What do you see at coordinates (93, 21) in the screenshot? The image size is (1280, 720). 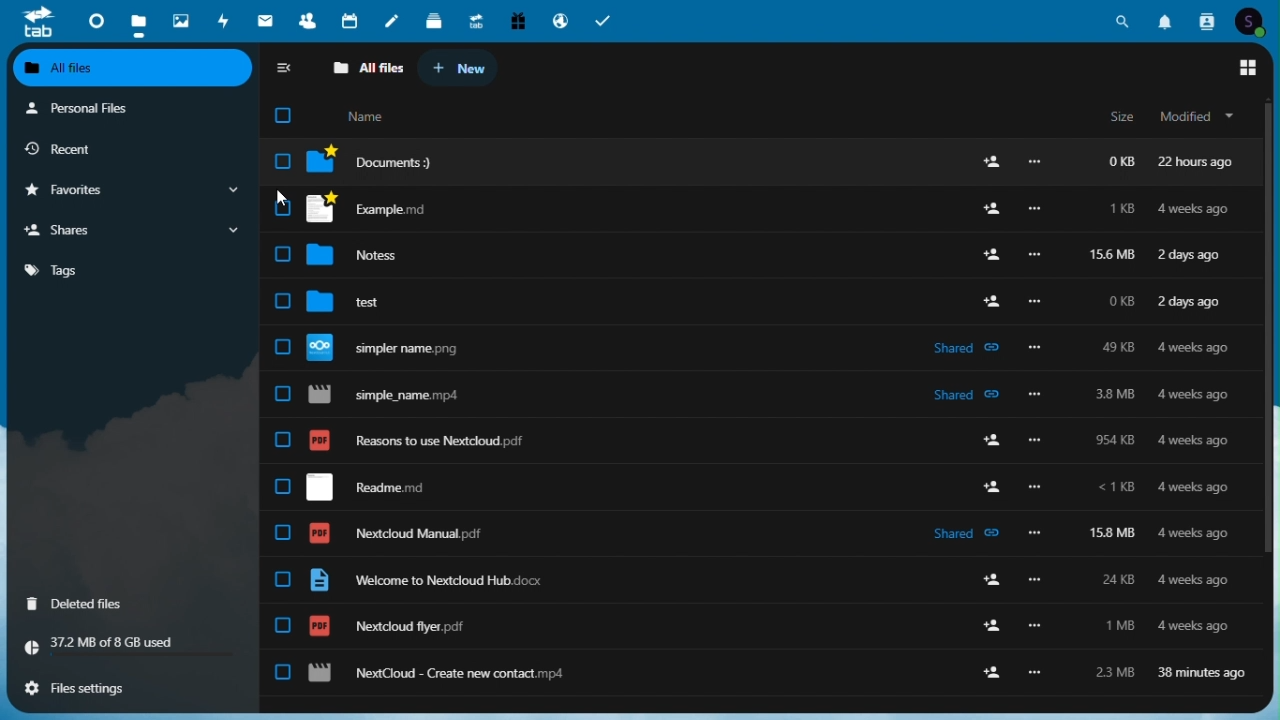 I see `Dashboard` at bounding box center [93, 21].